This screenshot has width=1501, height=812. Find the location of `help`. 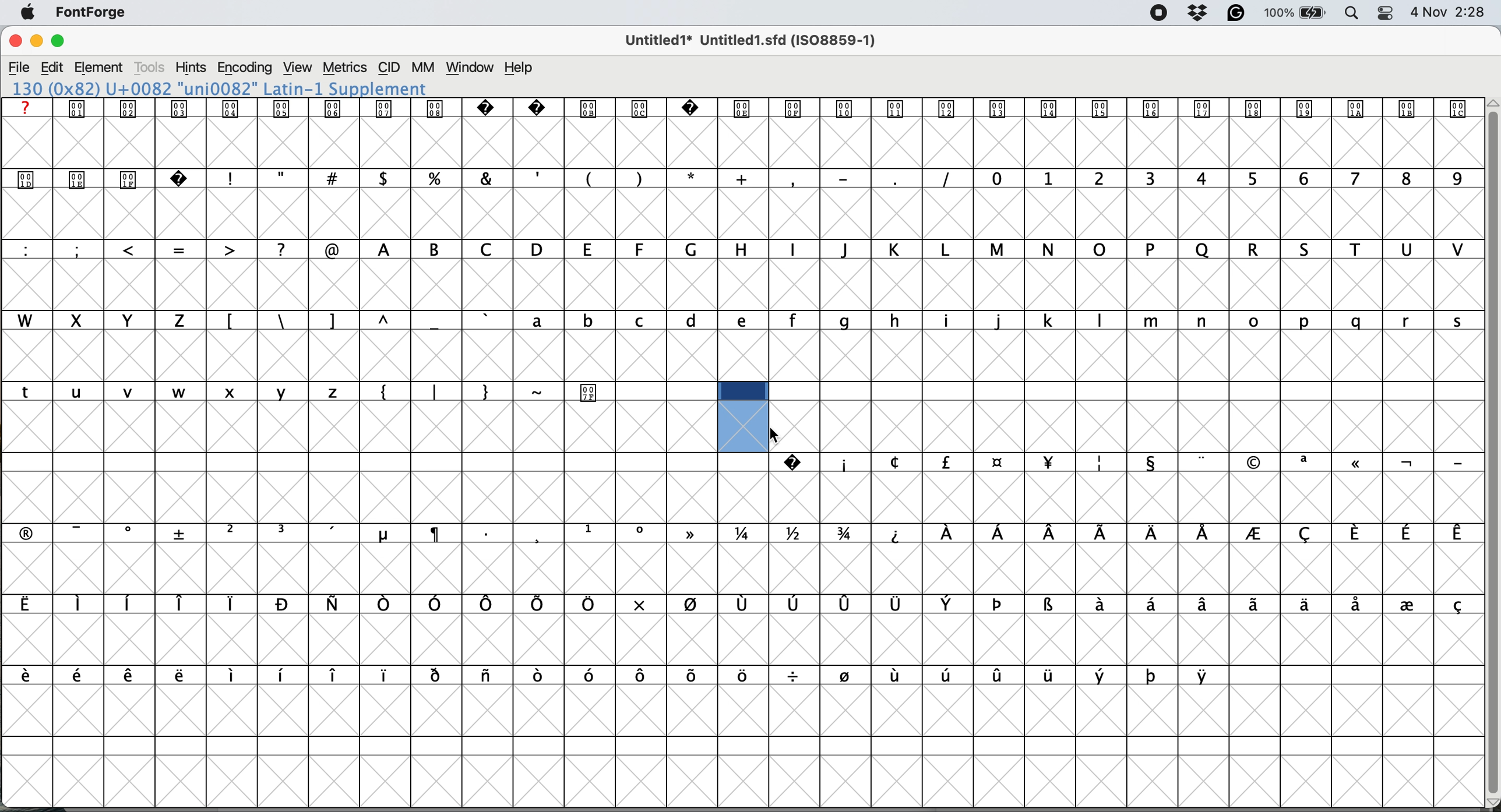

help is located at coordinates (522, 68).